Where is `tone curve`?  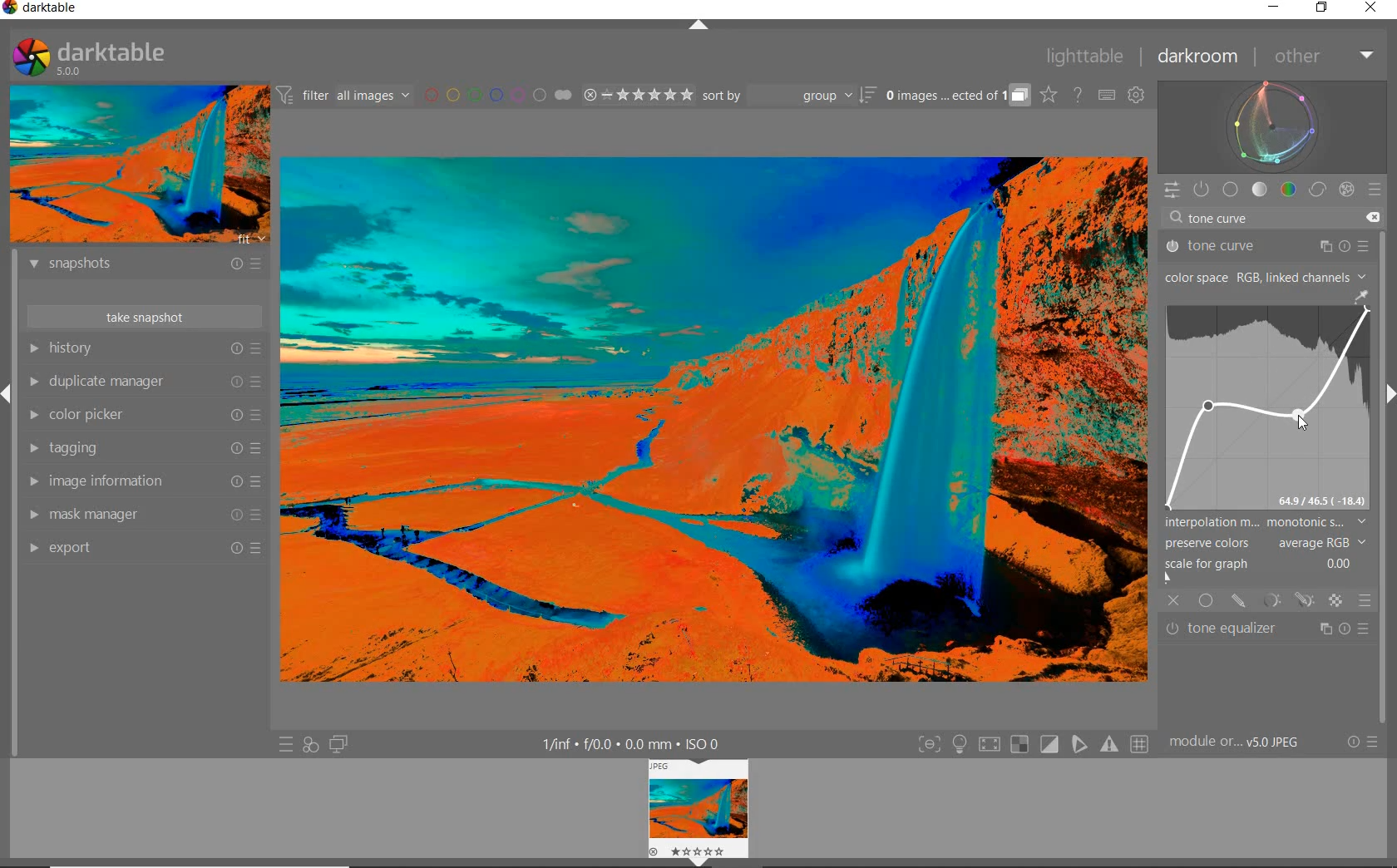
tone curve is located at coordinates (1265, 246).